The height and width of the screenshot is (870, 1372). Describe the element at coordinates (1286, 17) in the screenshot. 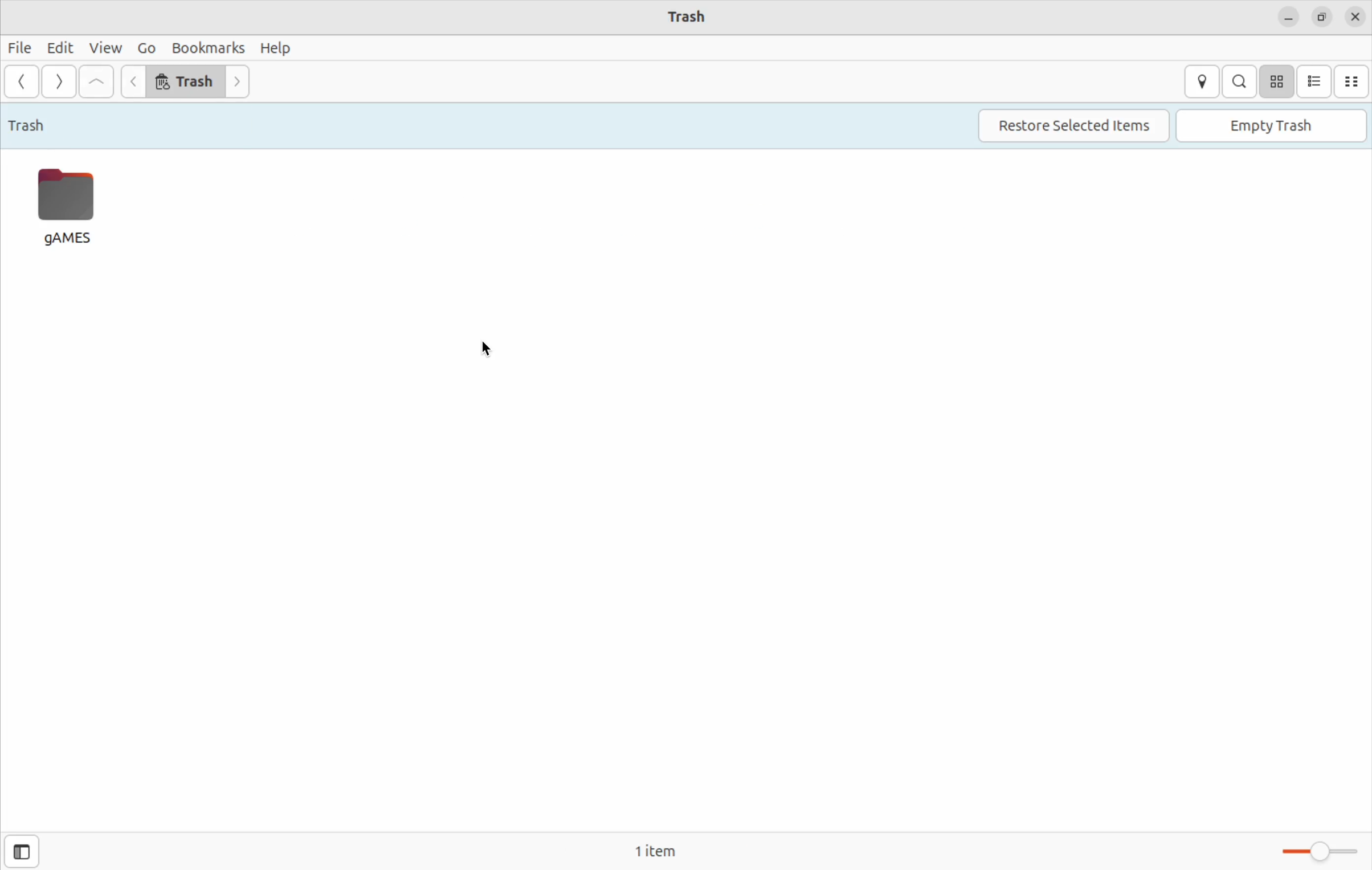

I see `minimize` at that location.